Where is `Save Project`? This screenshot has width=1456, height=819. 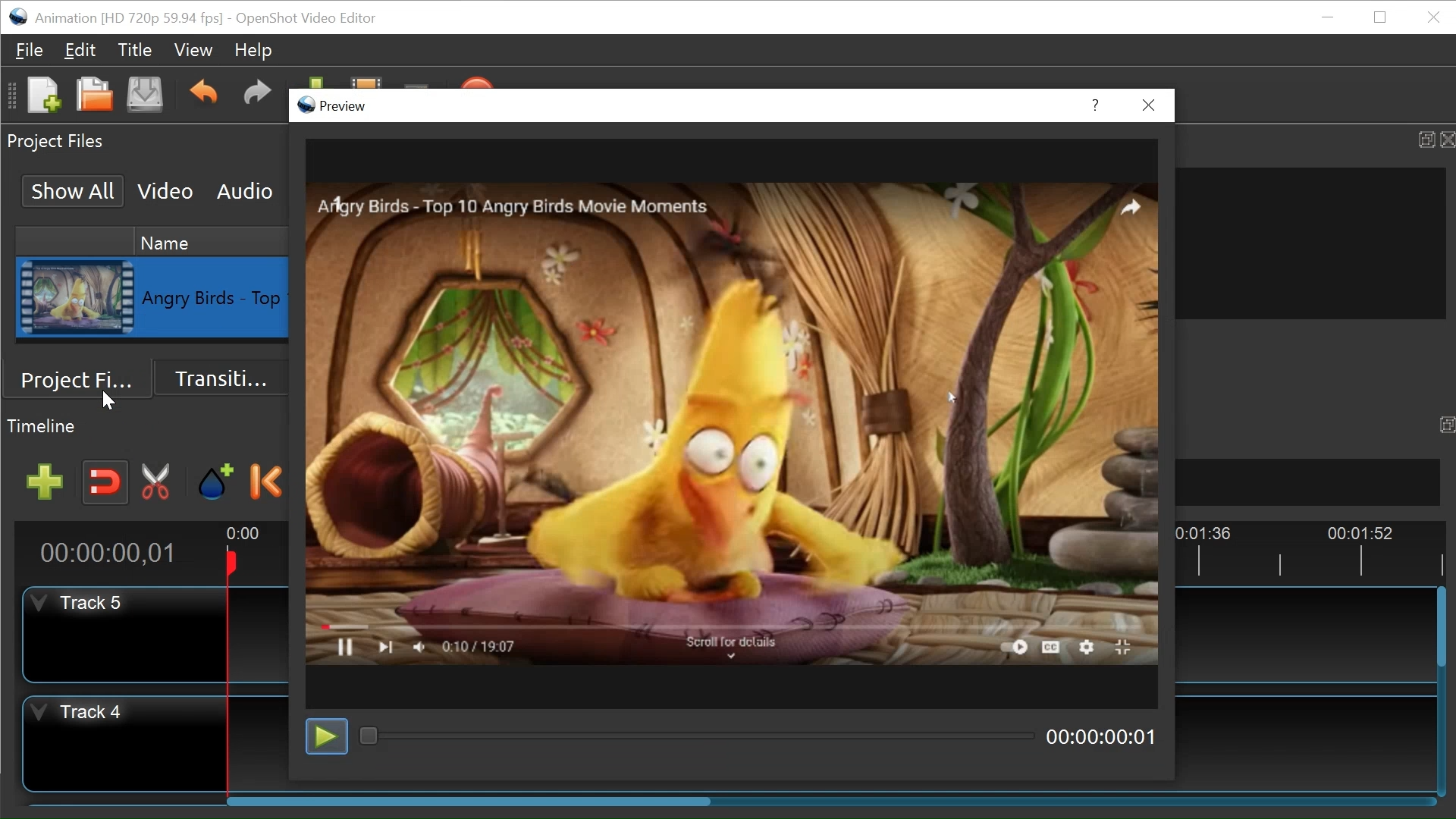
Save Project is located at coordinates (144, 94).